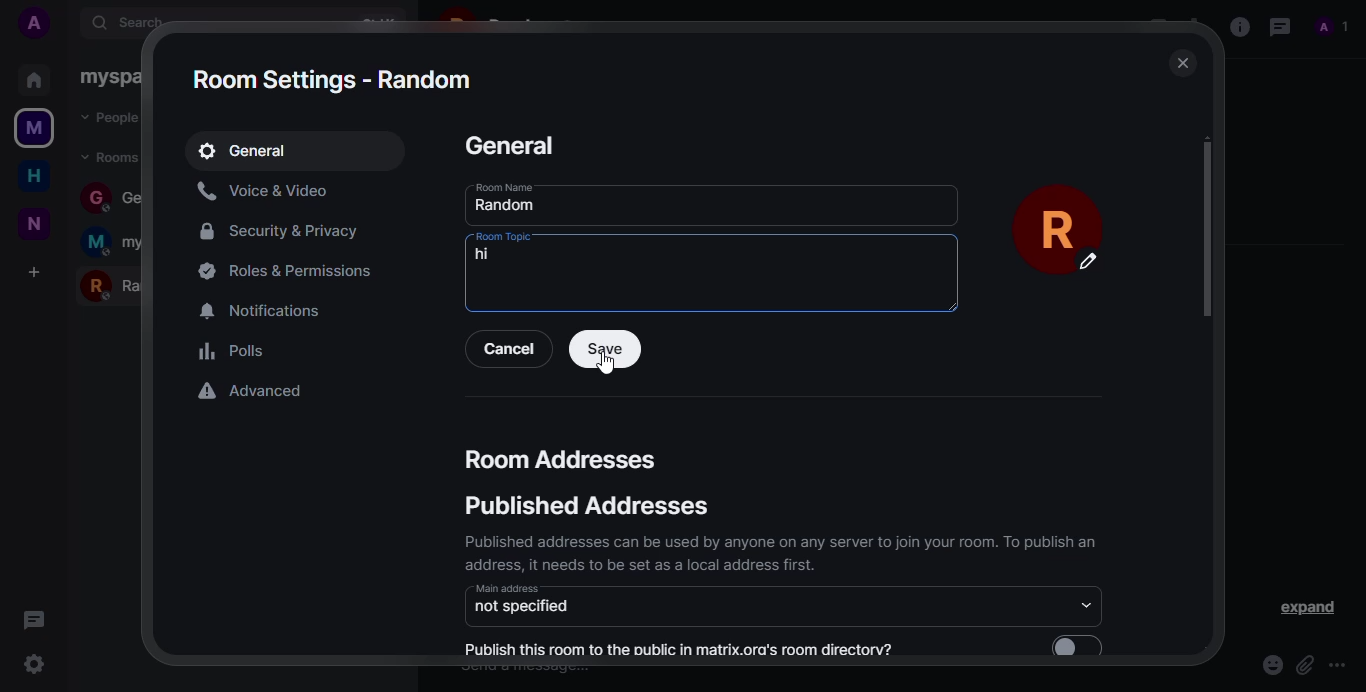 The image size is (1366, 692). What do you see at coordinates (268, 190) in the screenshot?
I see `voice&video` at bounding box center [268, 190].